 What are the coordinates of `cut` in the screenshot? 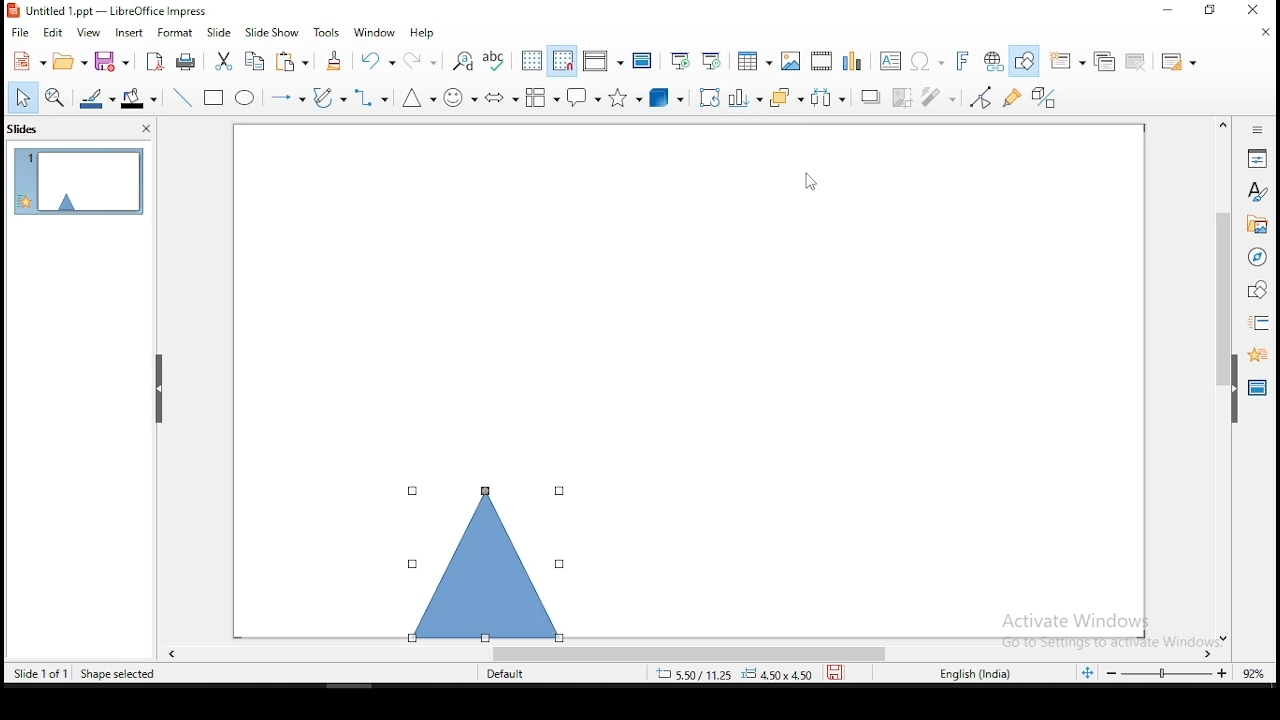 It's located at (225, 62).